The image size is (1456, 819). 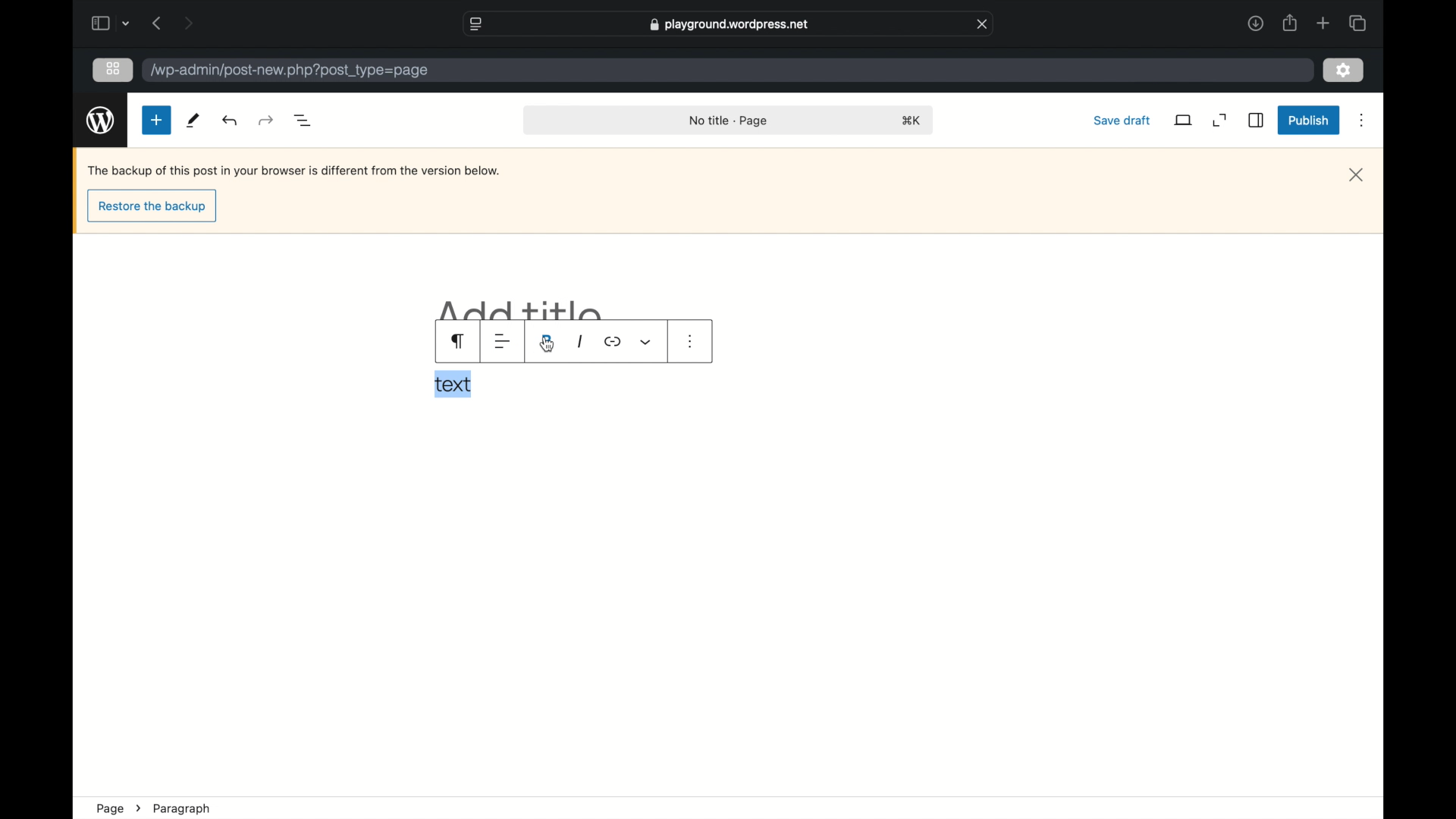 What do you see at coordinates (1359, 23) in the screenshot?
I see `show tab overview` at bounding box center [1359, 23].